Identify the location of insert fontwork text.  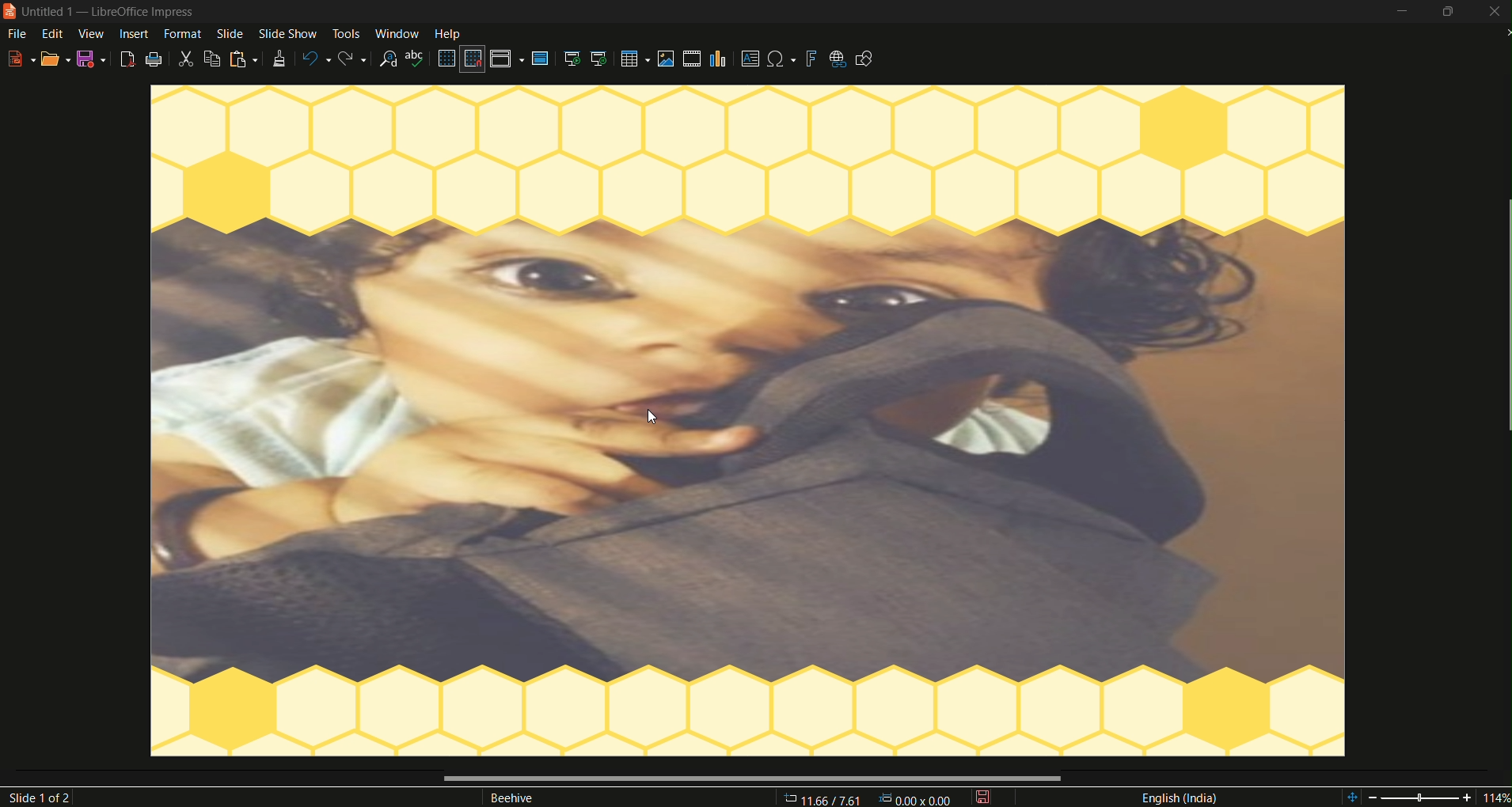
(812, 59).